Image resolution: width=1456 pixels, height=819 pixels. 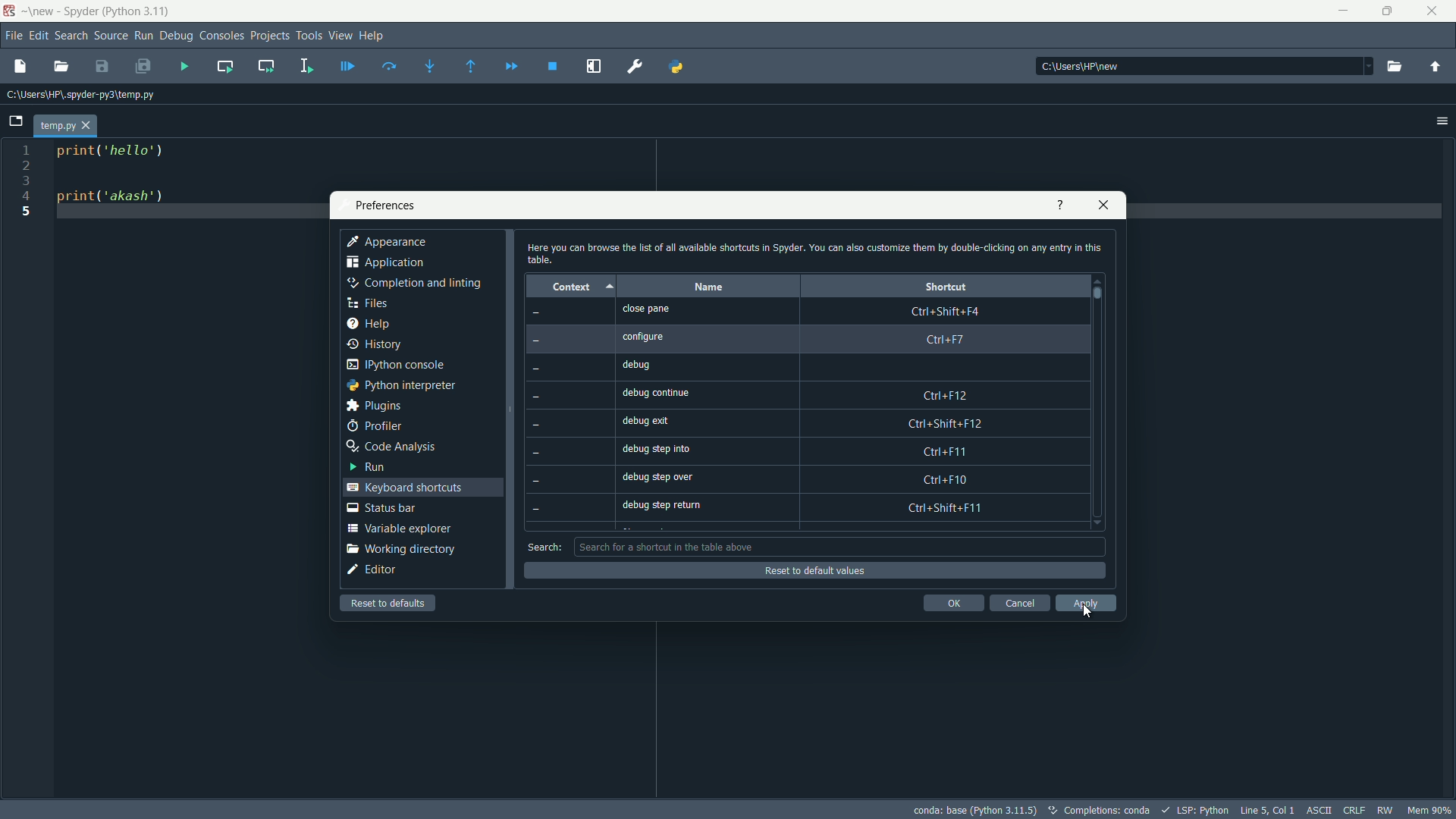 What do you see at coordinates (270, 36) in the screenshot?
I see `projects menu` at bounding box center [270, 36].